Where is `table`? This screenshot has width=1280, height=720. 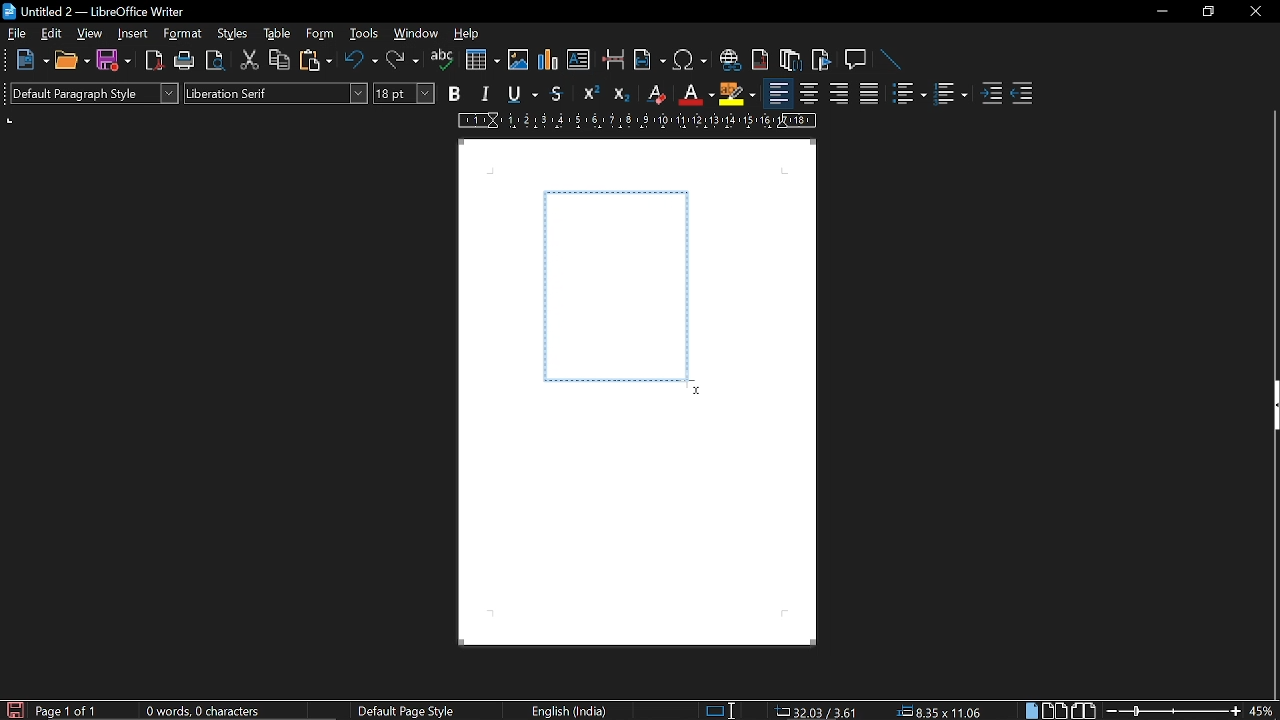
table is located at coordinates (276, 34).